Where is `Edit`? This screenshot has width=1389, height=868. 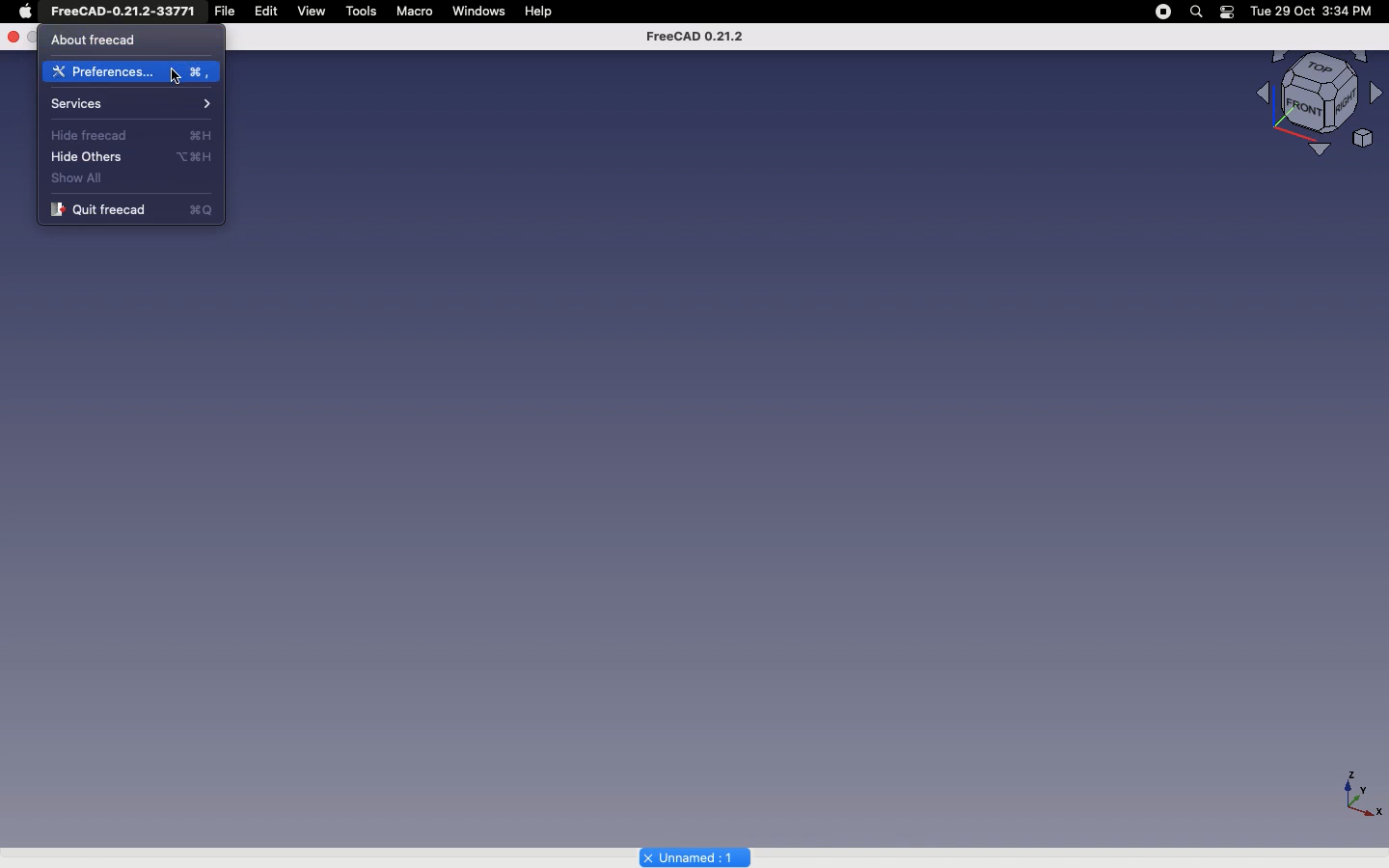
Edit is located at coordinates (271, 12).